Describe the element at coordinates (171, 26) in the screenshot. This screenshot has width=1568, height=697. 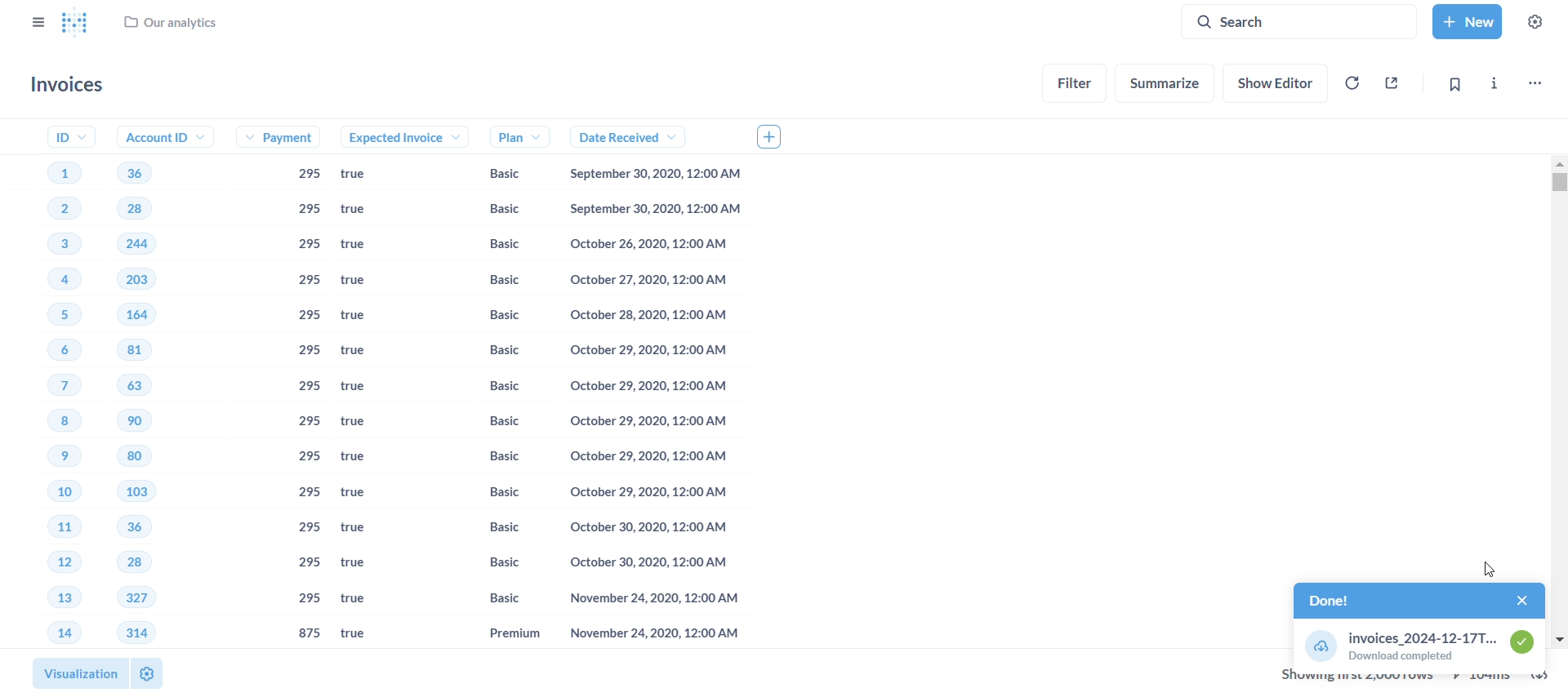
I see `our analytics` at that location.